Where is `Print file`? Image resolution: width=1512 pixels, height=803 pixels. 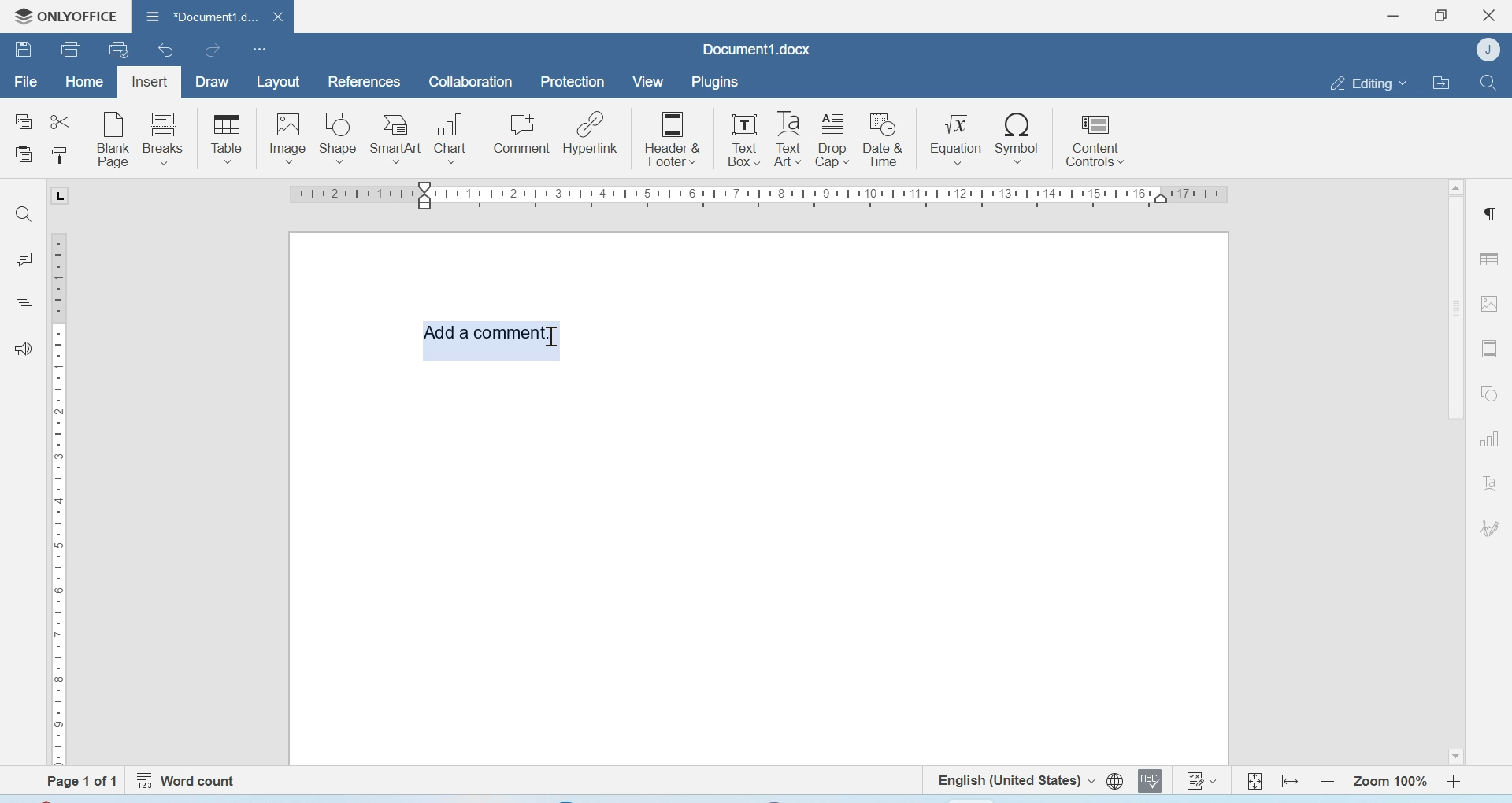
Print file is located at coordinates (73, 49).